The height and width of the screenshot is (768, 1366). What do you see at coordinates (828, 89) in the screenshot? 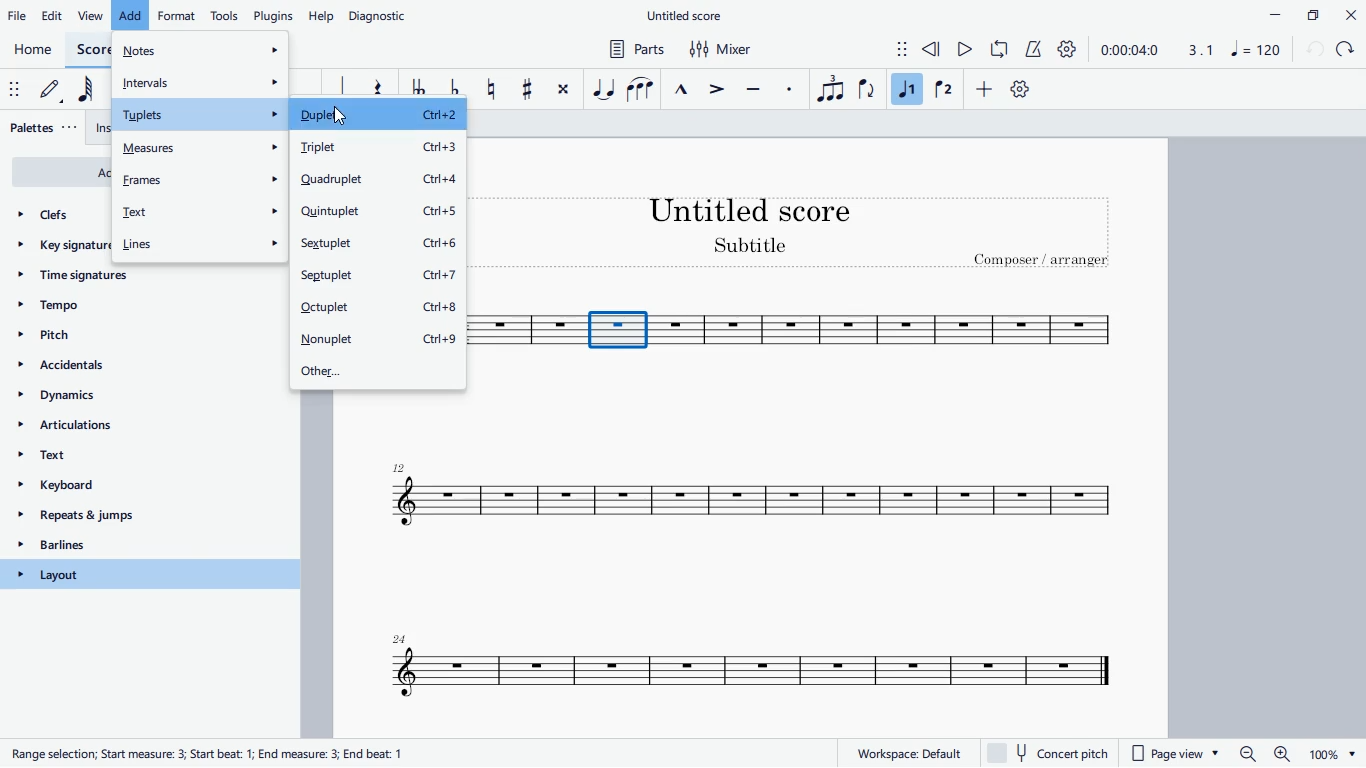
I see `tuplet` at bounding box center [828, 89].